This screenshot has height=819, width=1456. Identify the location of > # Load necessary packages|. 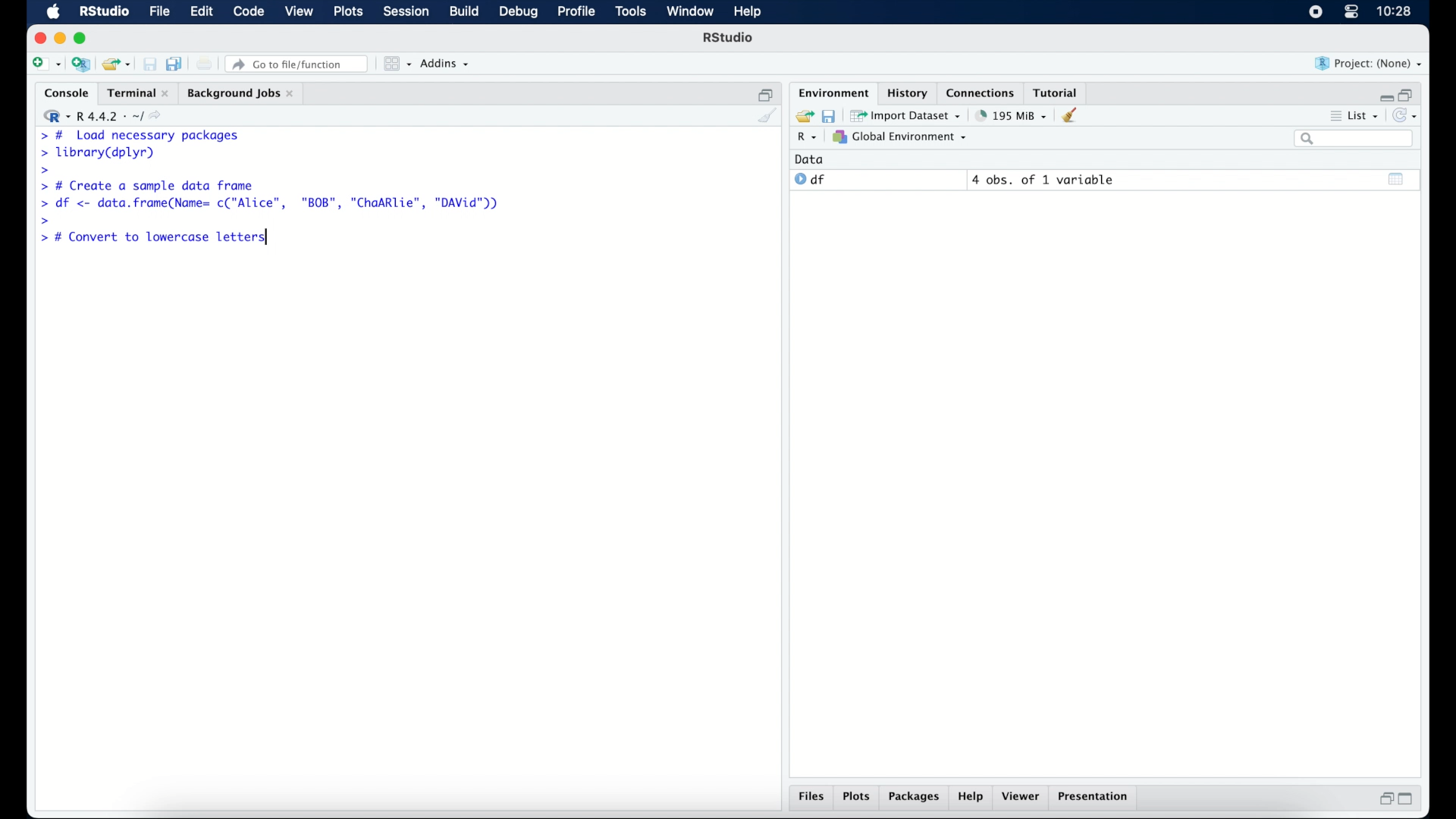
(138, 134).